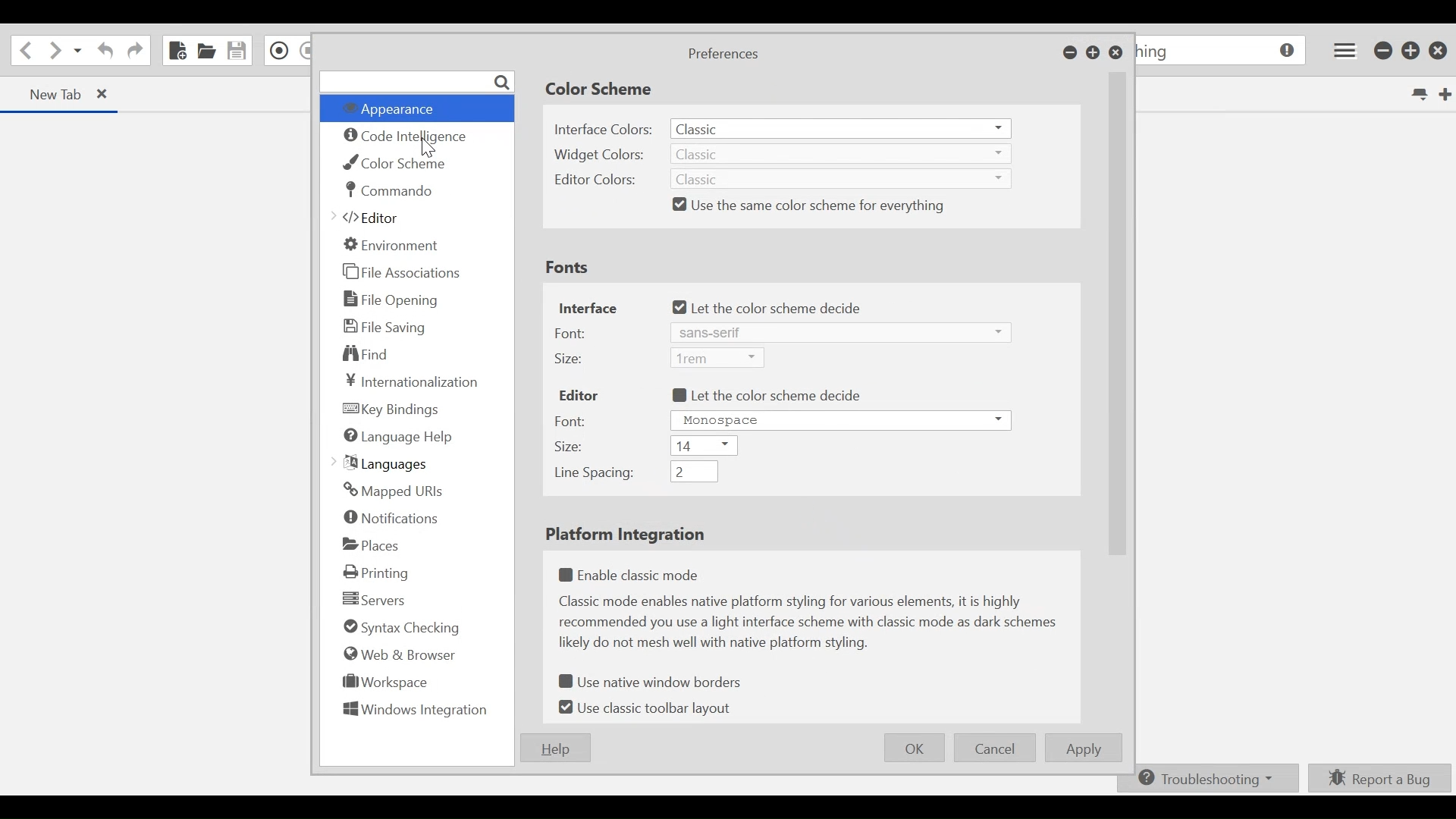 The width and height of the screenshot is (1456, 819). What do you see at coordinates (573, 419) in the screenshot?
I see `Font:` at bounding box center [573, 419].